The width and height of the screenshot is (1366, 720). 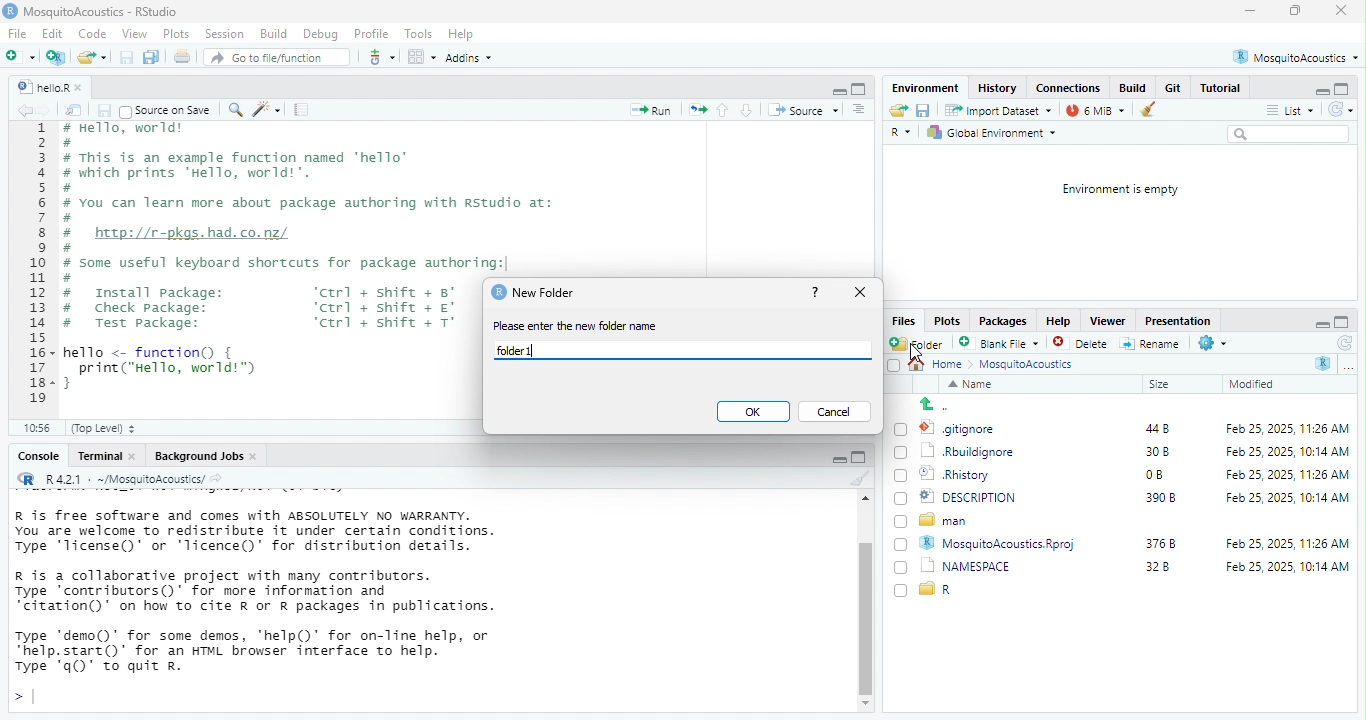 What do you see at coordinates (897, 591) in the screenshot?
I see `checkbox` at bounding box center [897, 591].